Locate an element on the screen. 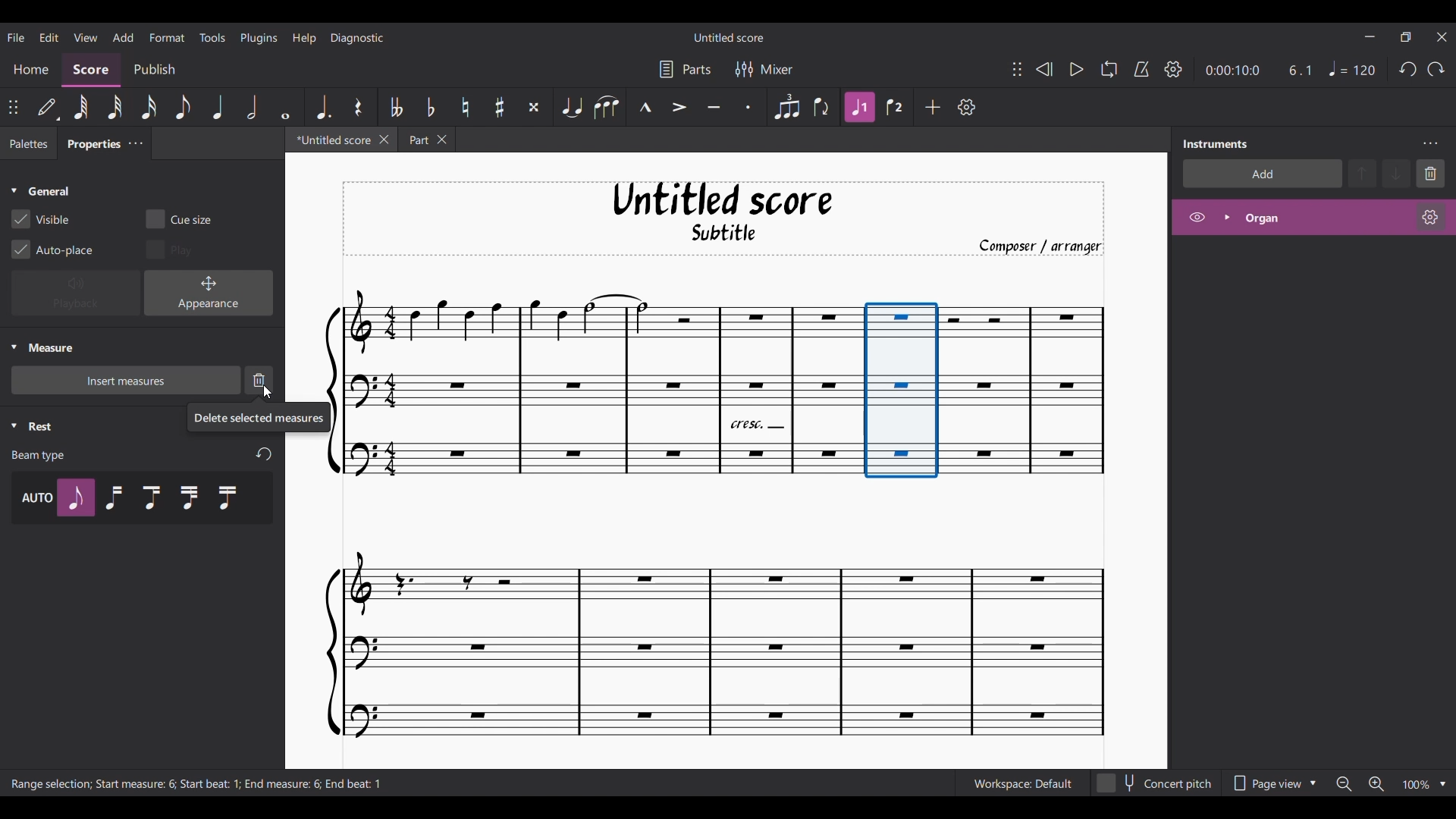  Playback is located at coordinates (77, 293).